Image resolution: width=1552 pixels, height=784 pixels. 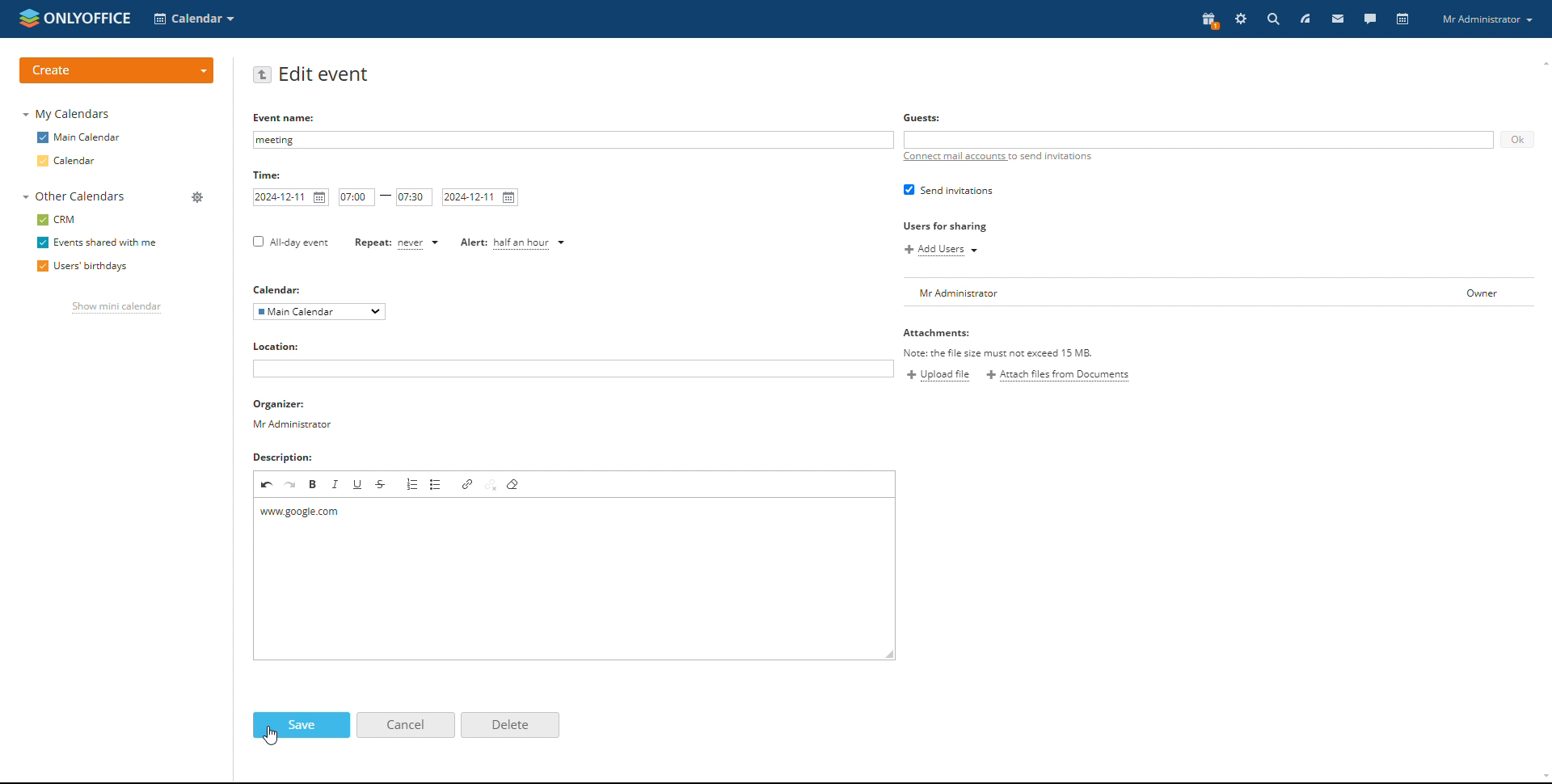 I want to click on show mini calendar, so click(x=116, y=309).